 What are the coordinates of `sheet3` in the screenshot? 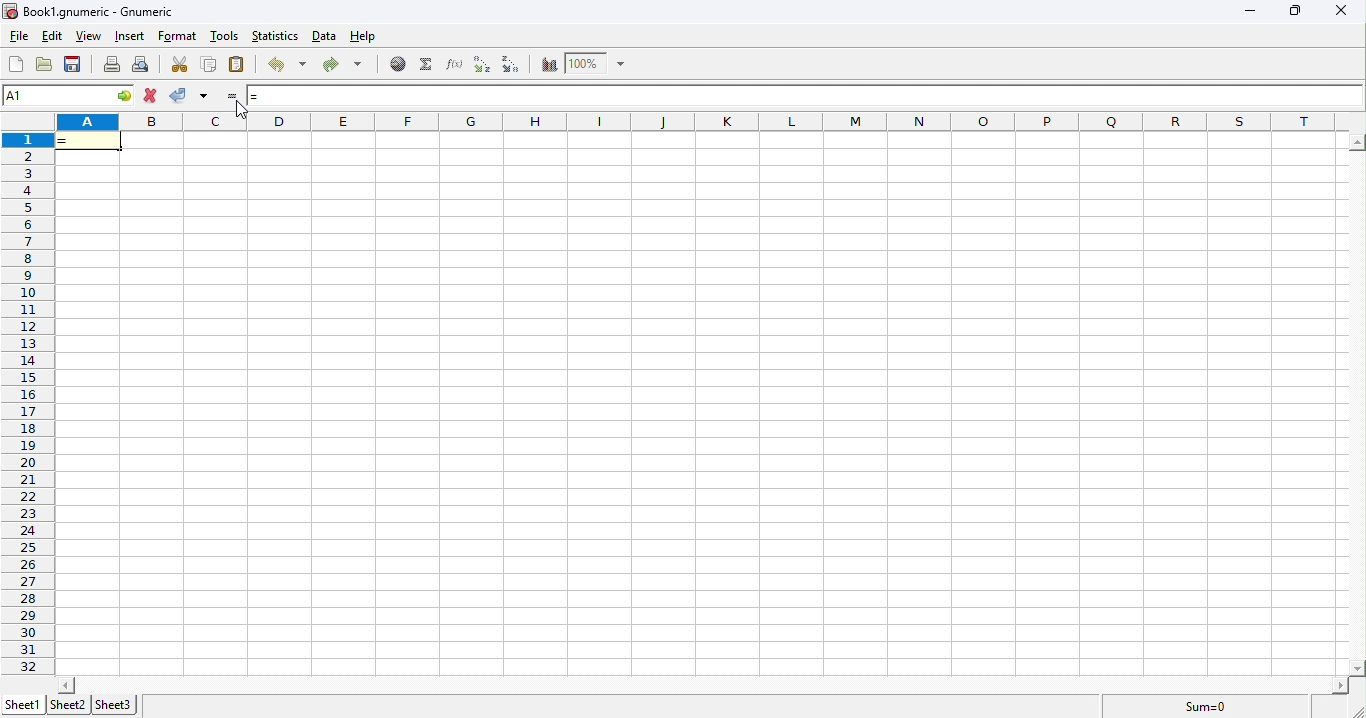 It's located at (115, 706).